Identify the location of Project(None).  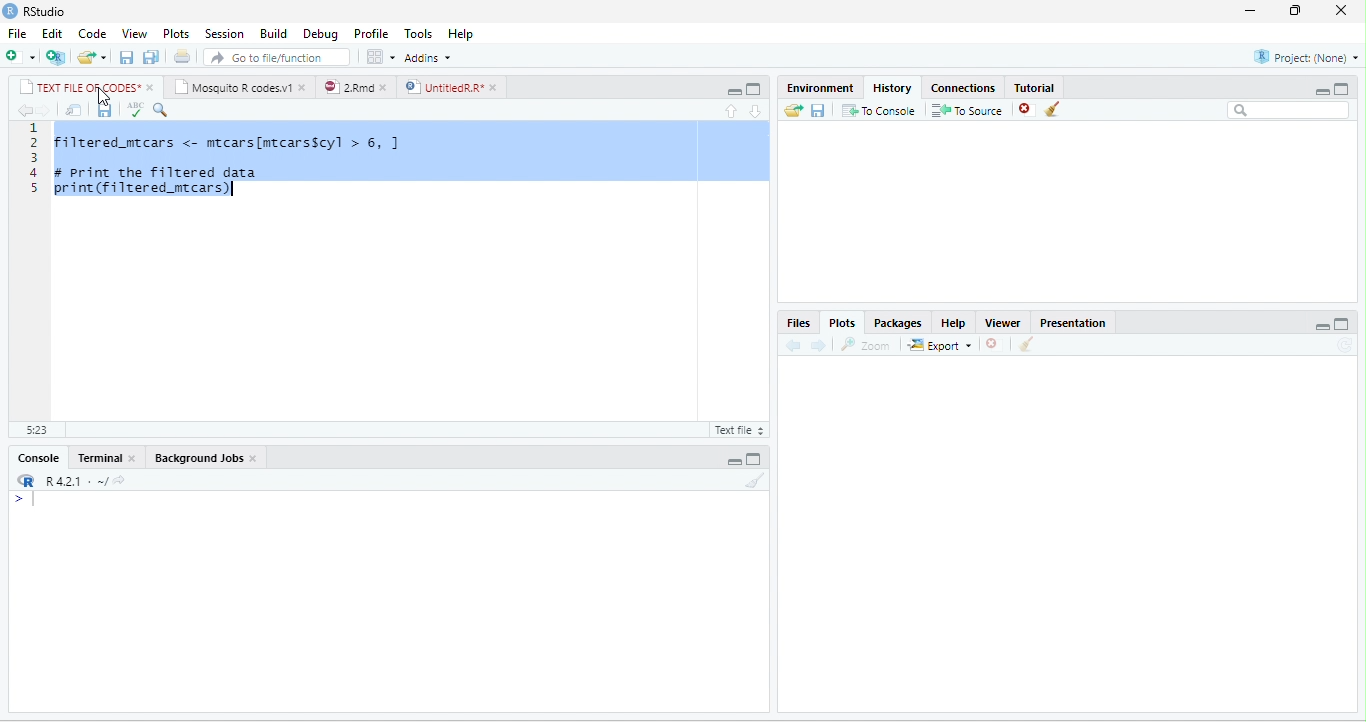
(1307, 57).